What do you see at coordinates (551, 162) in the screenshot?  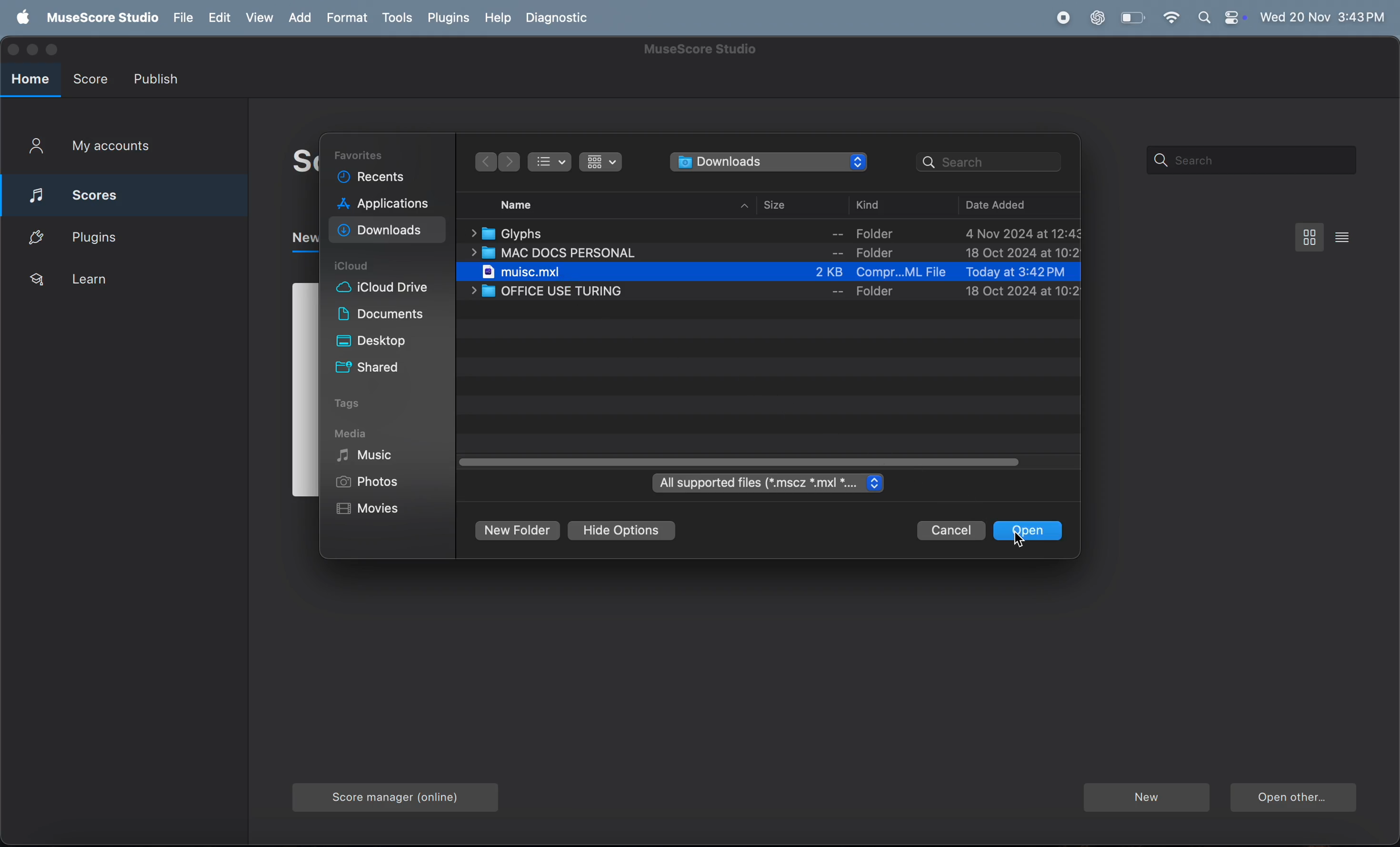 I see `show item as list` at bounding box center [551, 162].